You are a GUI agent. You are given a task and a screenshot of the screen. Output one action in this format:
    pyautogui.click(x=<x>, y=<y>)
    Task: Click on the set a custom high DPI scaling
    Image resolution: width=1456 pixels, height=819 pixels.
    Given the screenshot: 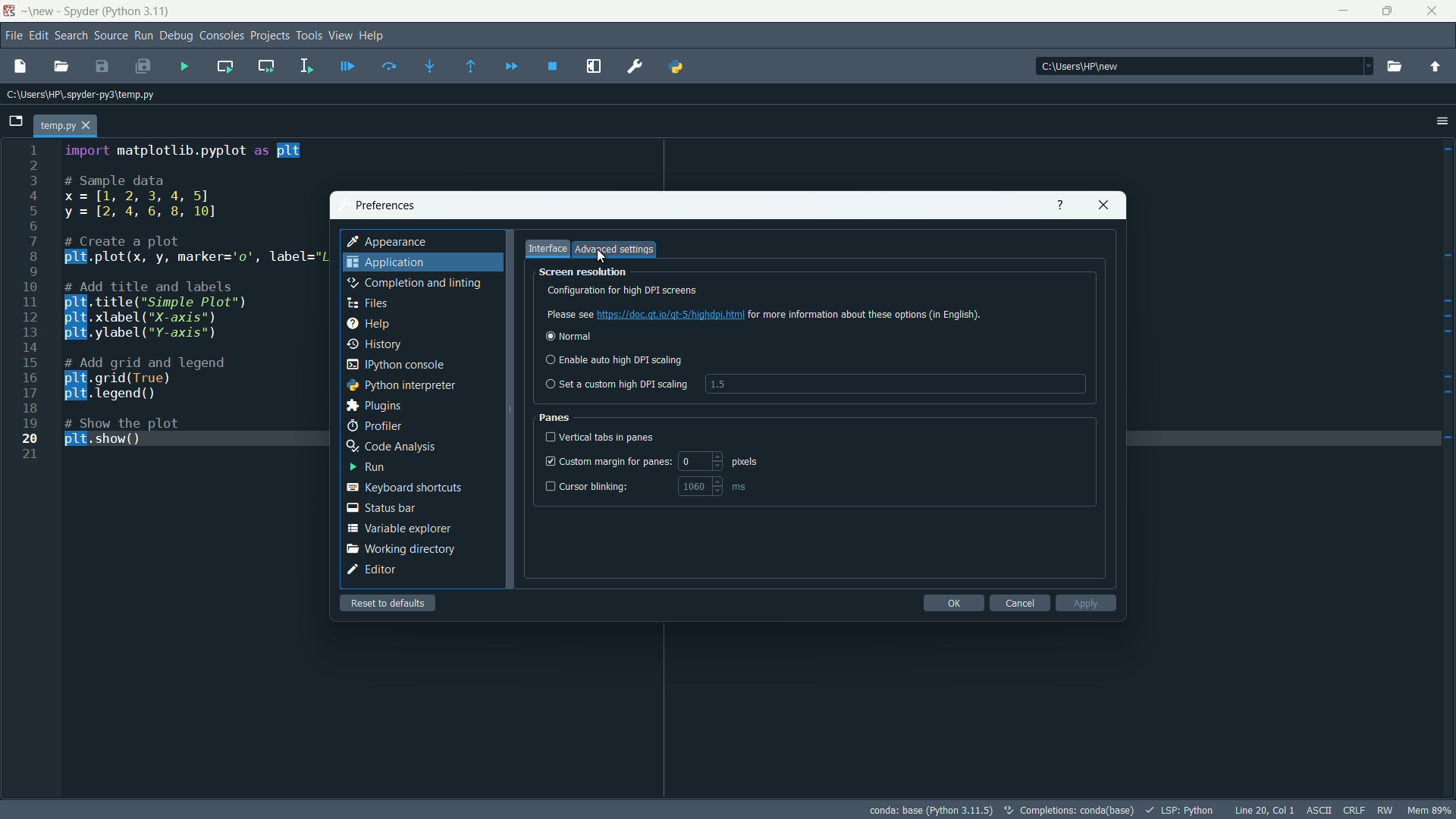 What is the action you would take?
    pyautogui.click(x=617, y=383)
    